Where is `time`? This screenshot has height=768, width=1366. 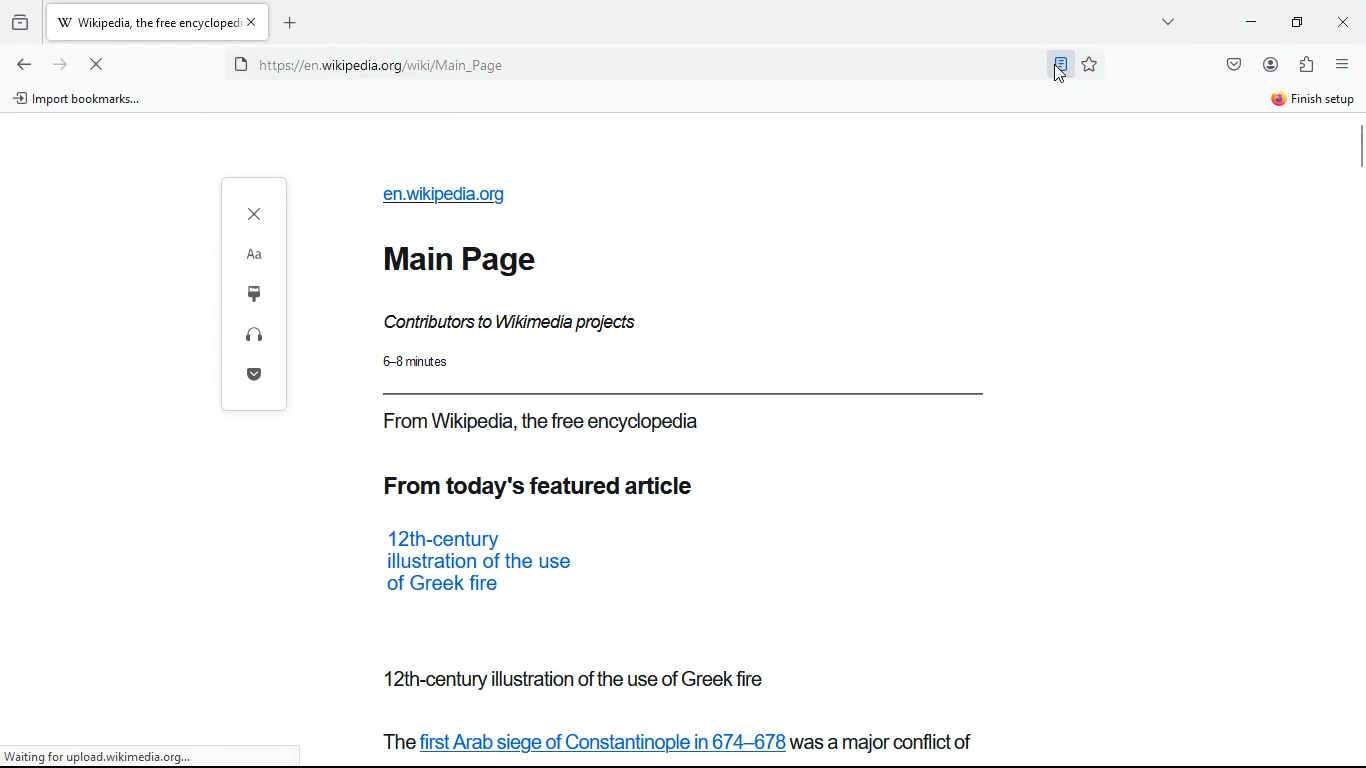 time is located at coordinates (419, 360).